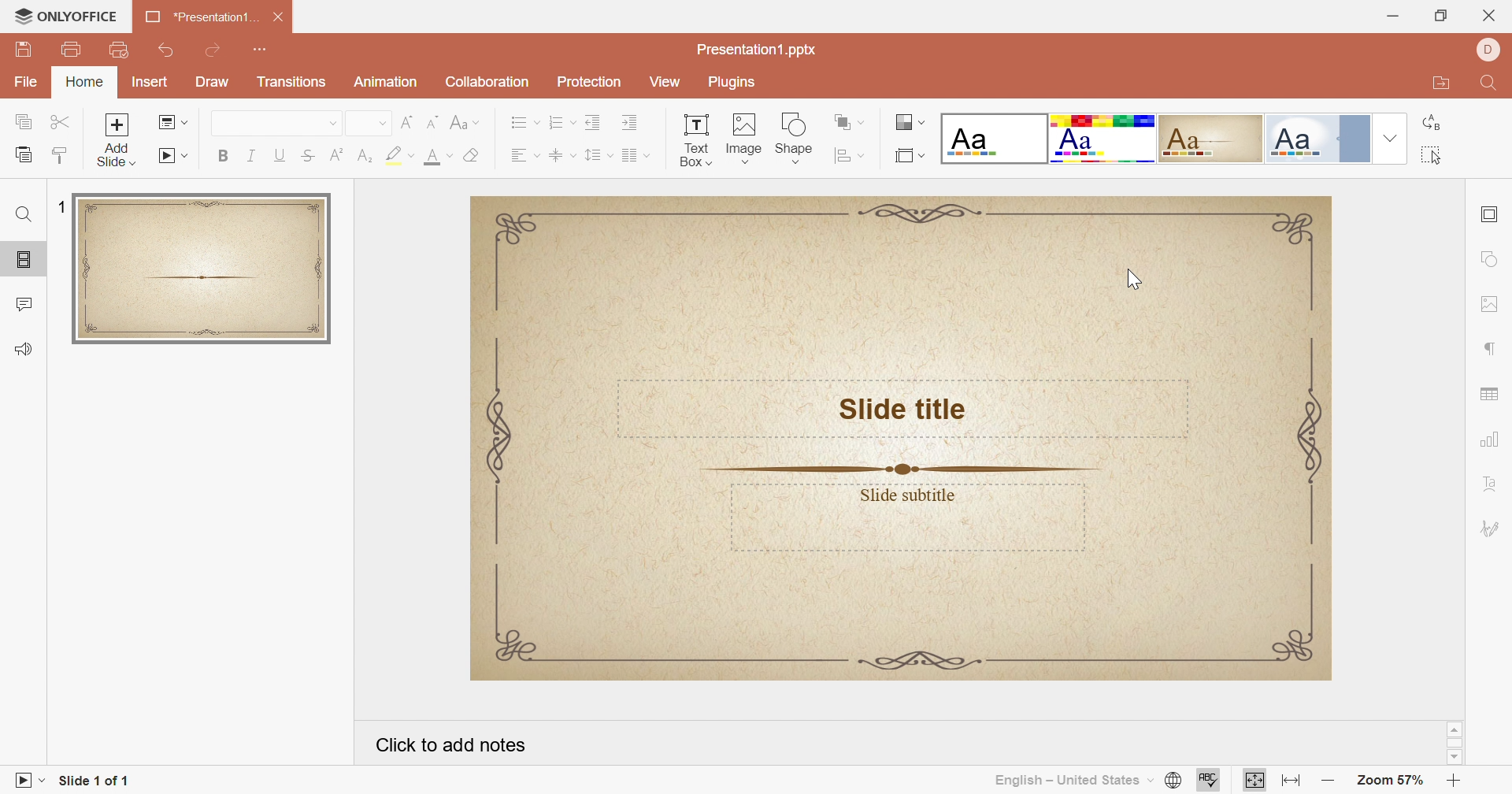  I want to click on Click to add notes, so click(451, 743).